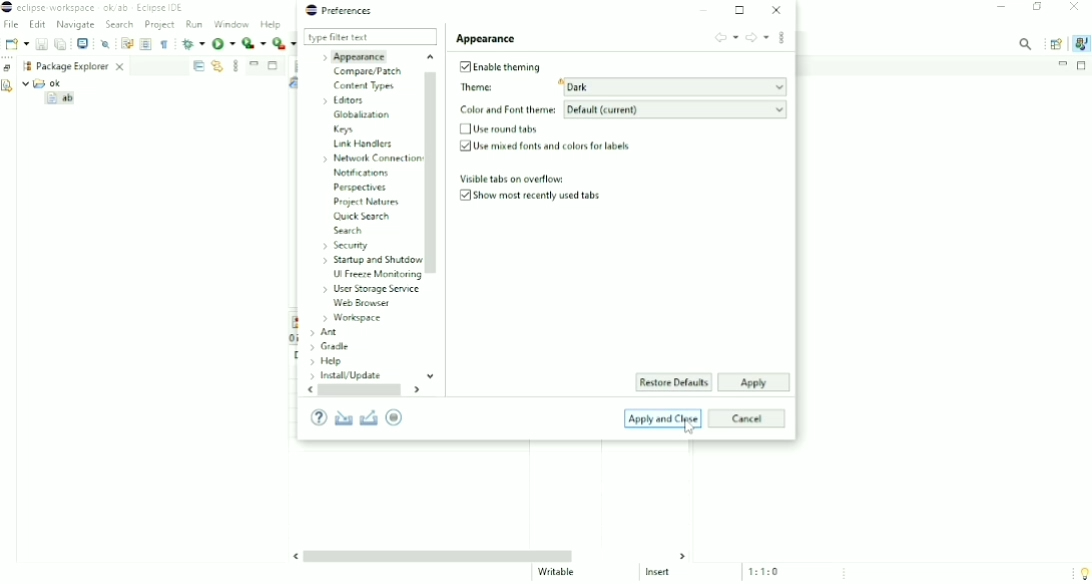 The image size is (1092, 584). I want to click on Color and Font theme, so click(621, 110).